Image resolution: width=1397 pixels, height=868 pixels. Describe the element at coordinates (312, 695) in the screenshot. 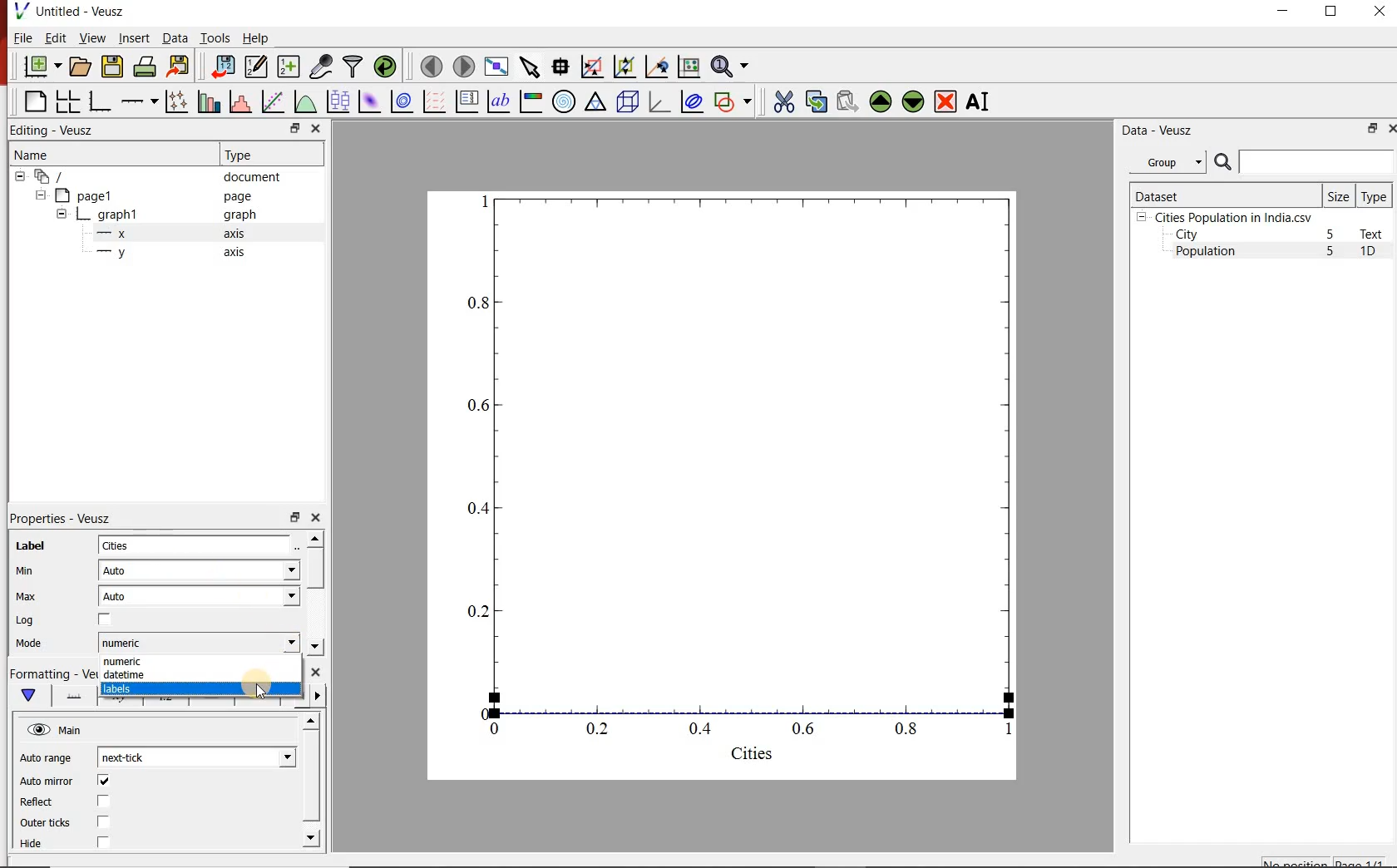

I see `Grid lines` at that location.